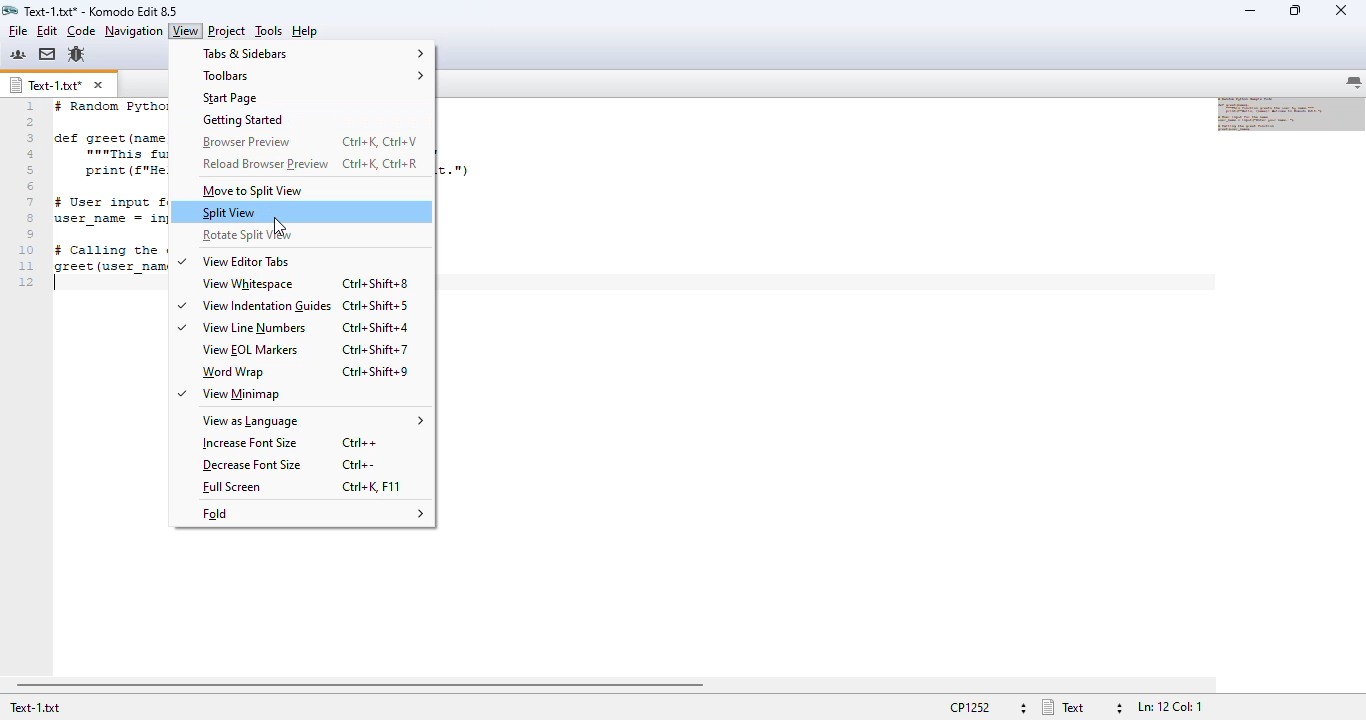  I want to click on maximize, so click(1295, 10).